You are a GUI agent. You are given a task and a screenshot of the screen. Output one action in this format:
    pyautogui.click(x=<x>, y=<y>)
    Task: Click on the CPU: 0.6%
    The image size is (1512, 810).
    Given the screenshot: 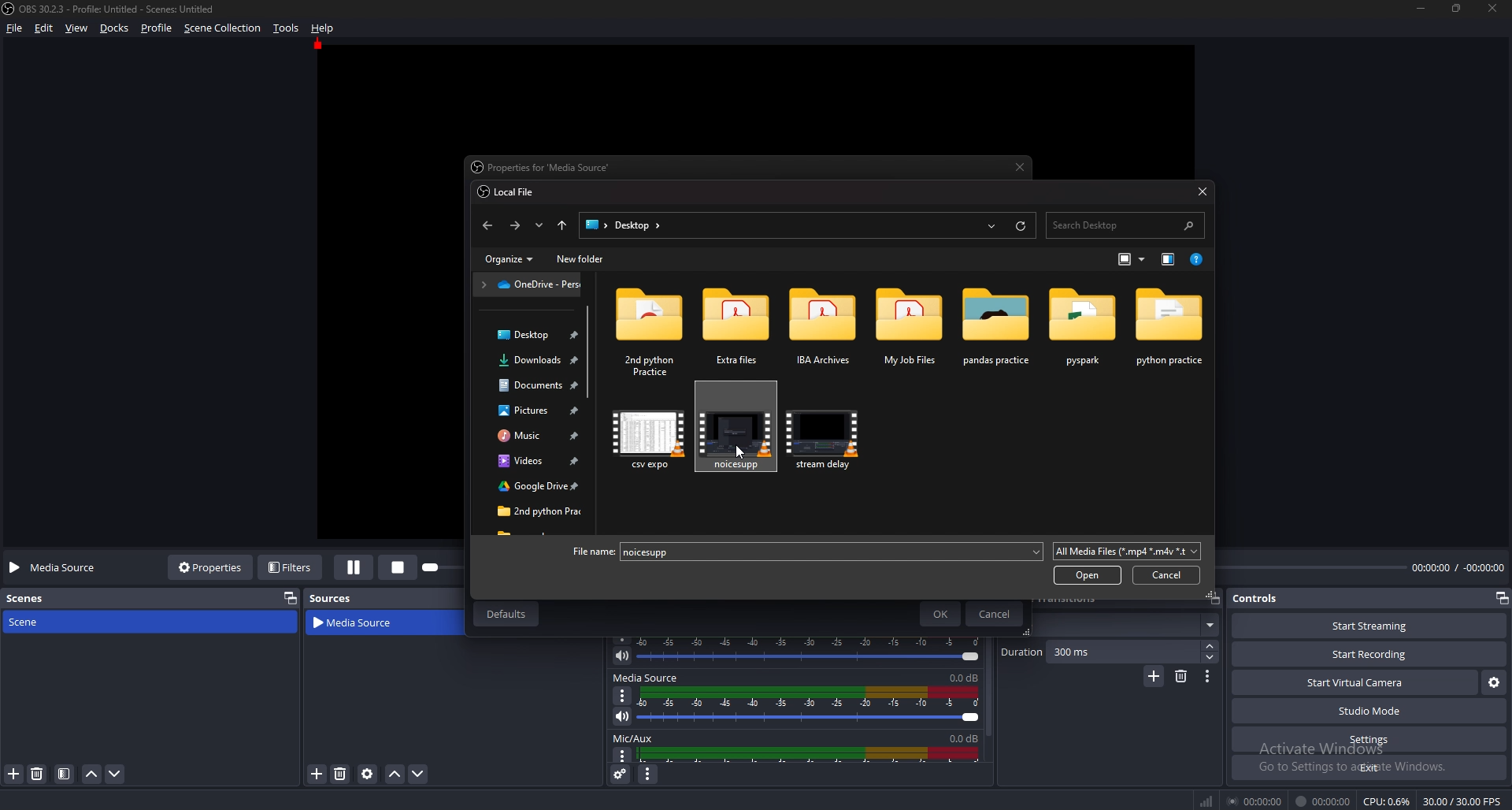 What is the action you would take?
    pyautogui.click(x=1386, y=801)
    